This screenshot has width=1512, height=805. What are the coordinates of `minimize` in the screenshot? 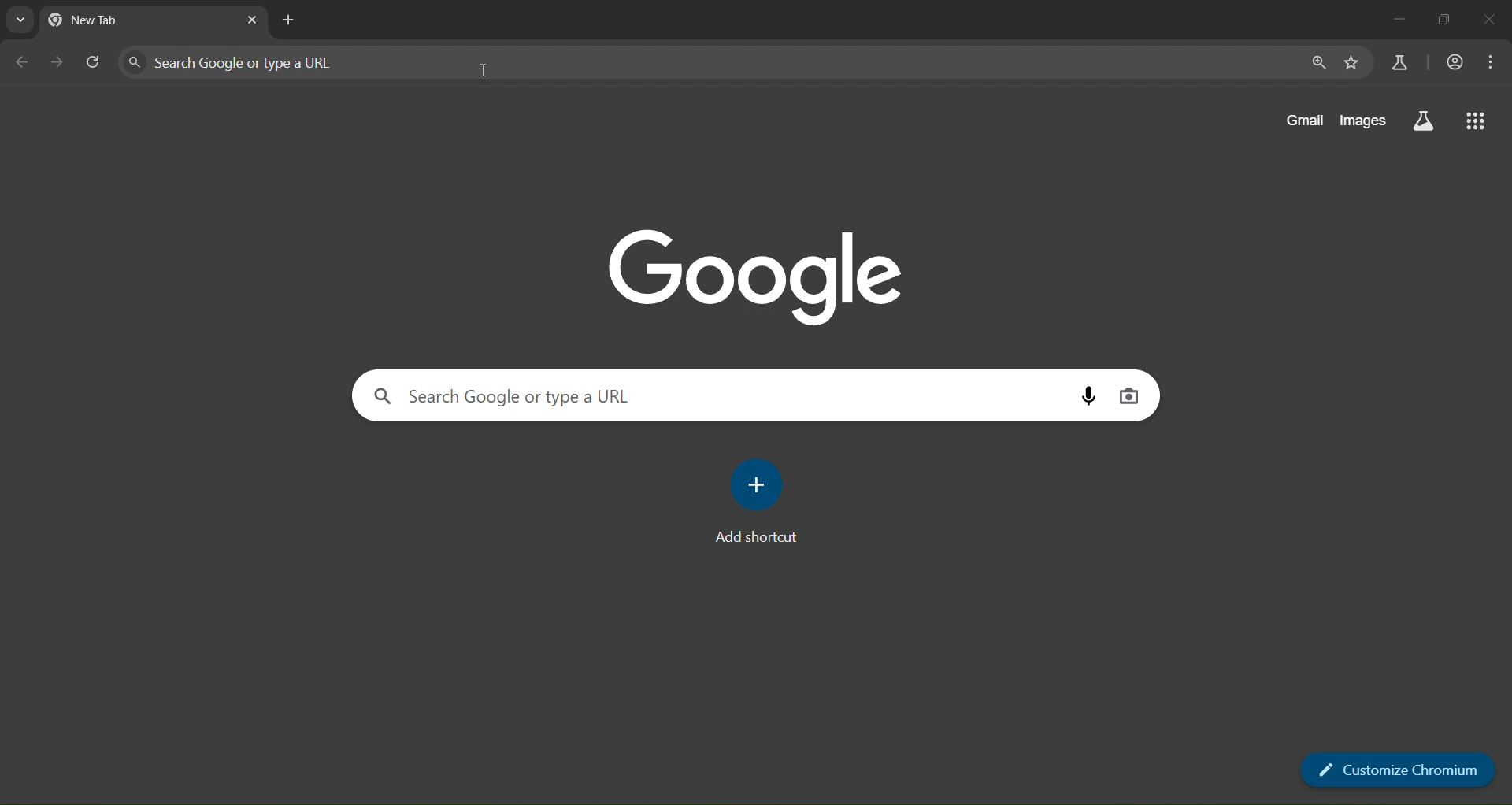 It's located at (1398, 19).